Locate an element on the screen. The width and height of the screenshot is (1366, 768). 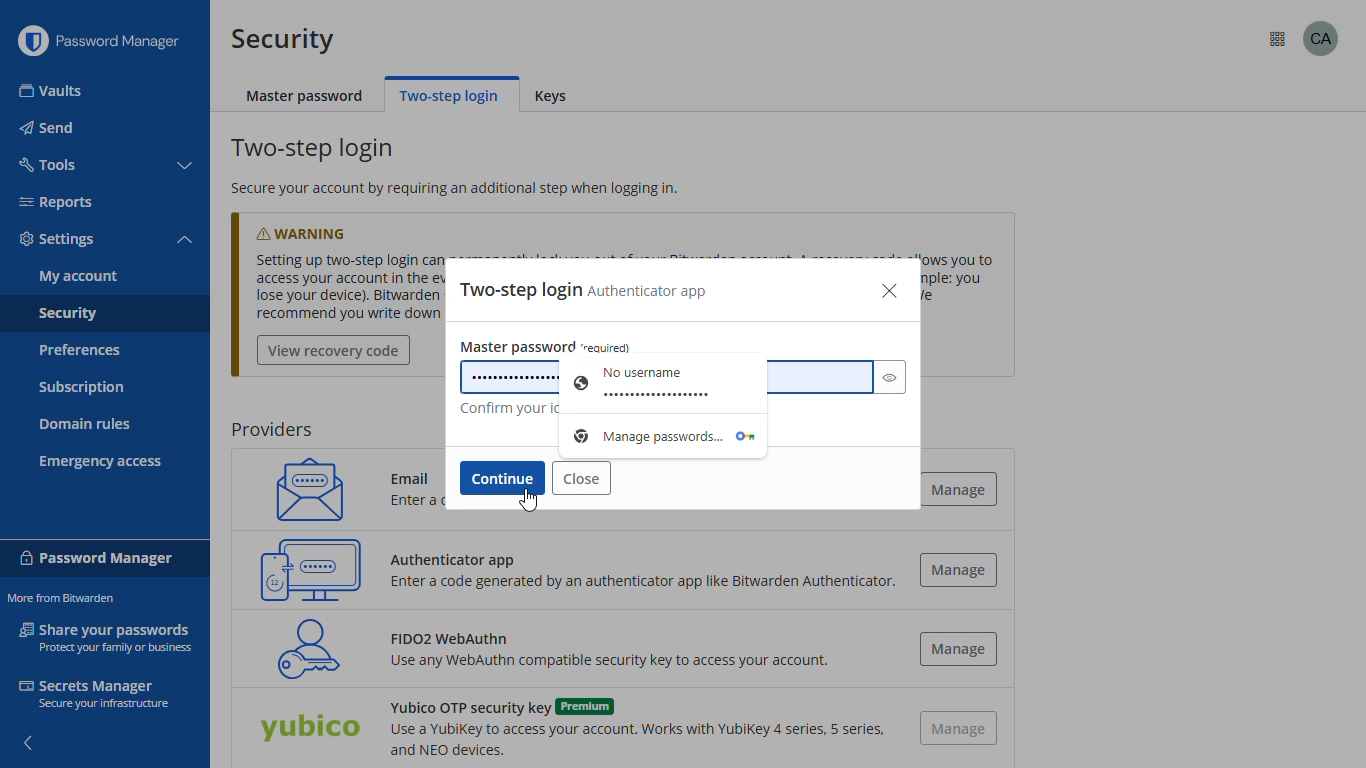
close is located at coordinates (583, 479).